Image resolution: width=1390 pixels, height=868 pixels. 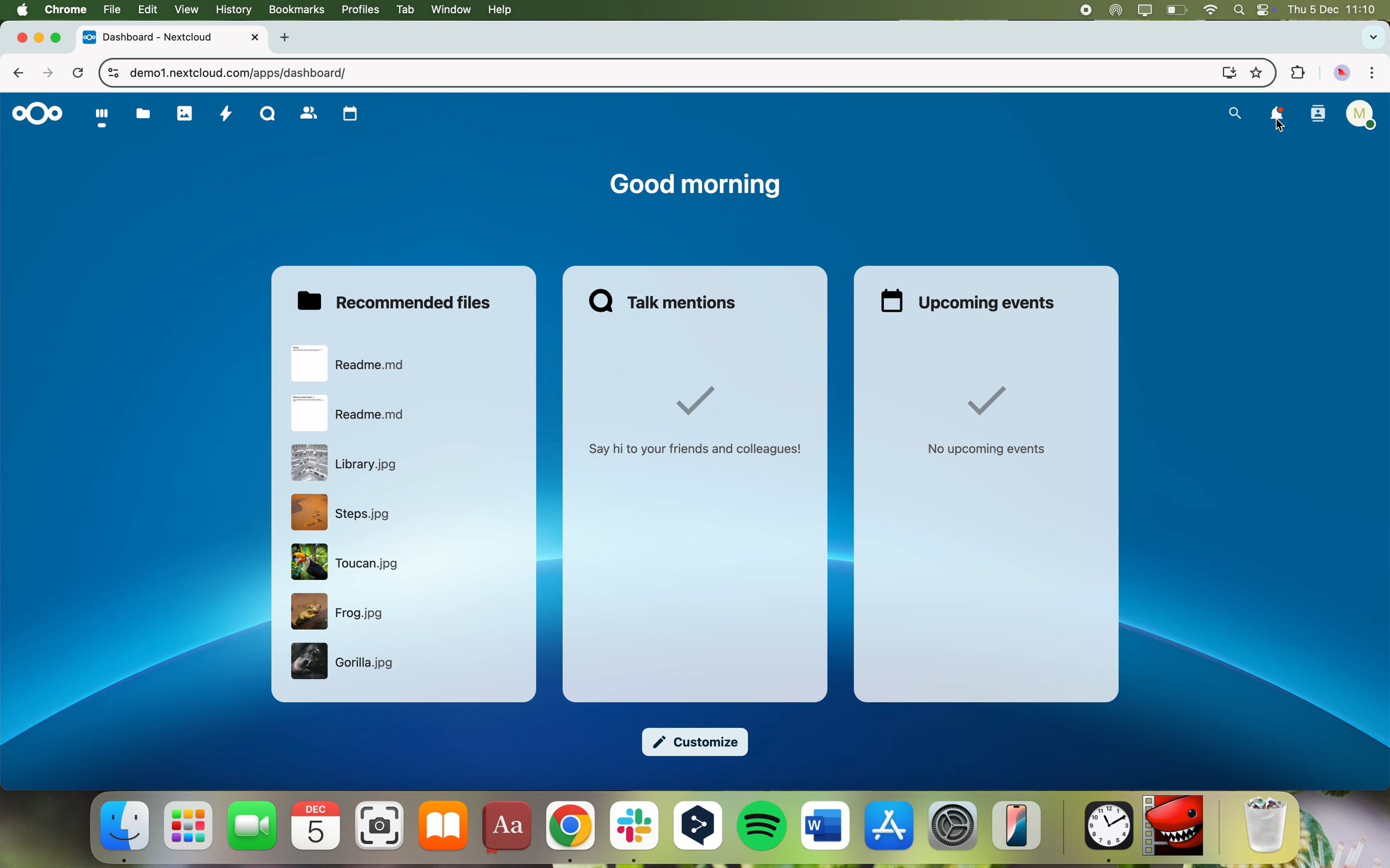 I want to click on talk mentions, so click(x=667, y=300).